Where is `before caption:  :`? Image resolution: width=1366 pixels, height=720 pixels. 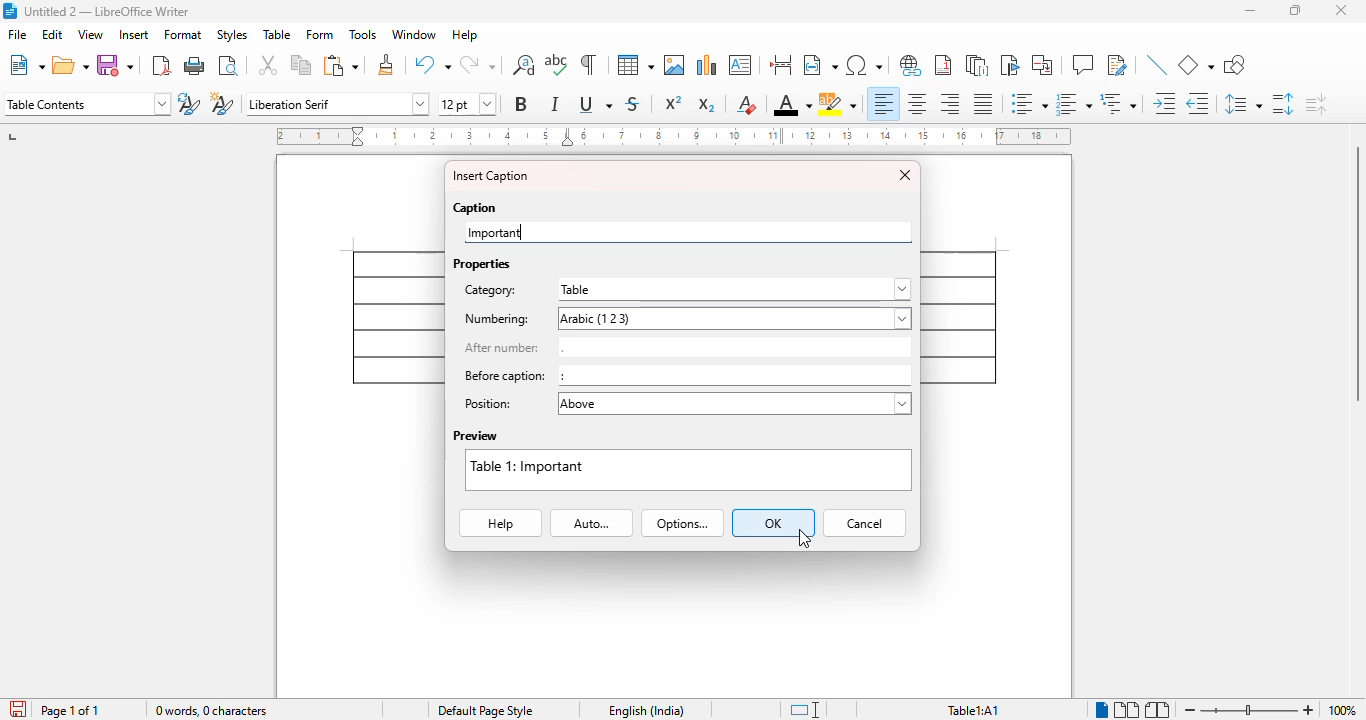
before caption:  : is located at coordinates (685, 375).